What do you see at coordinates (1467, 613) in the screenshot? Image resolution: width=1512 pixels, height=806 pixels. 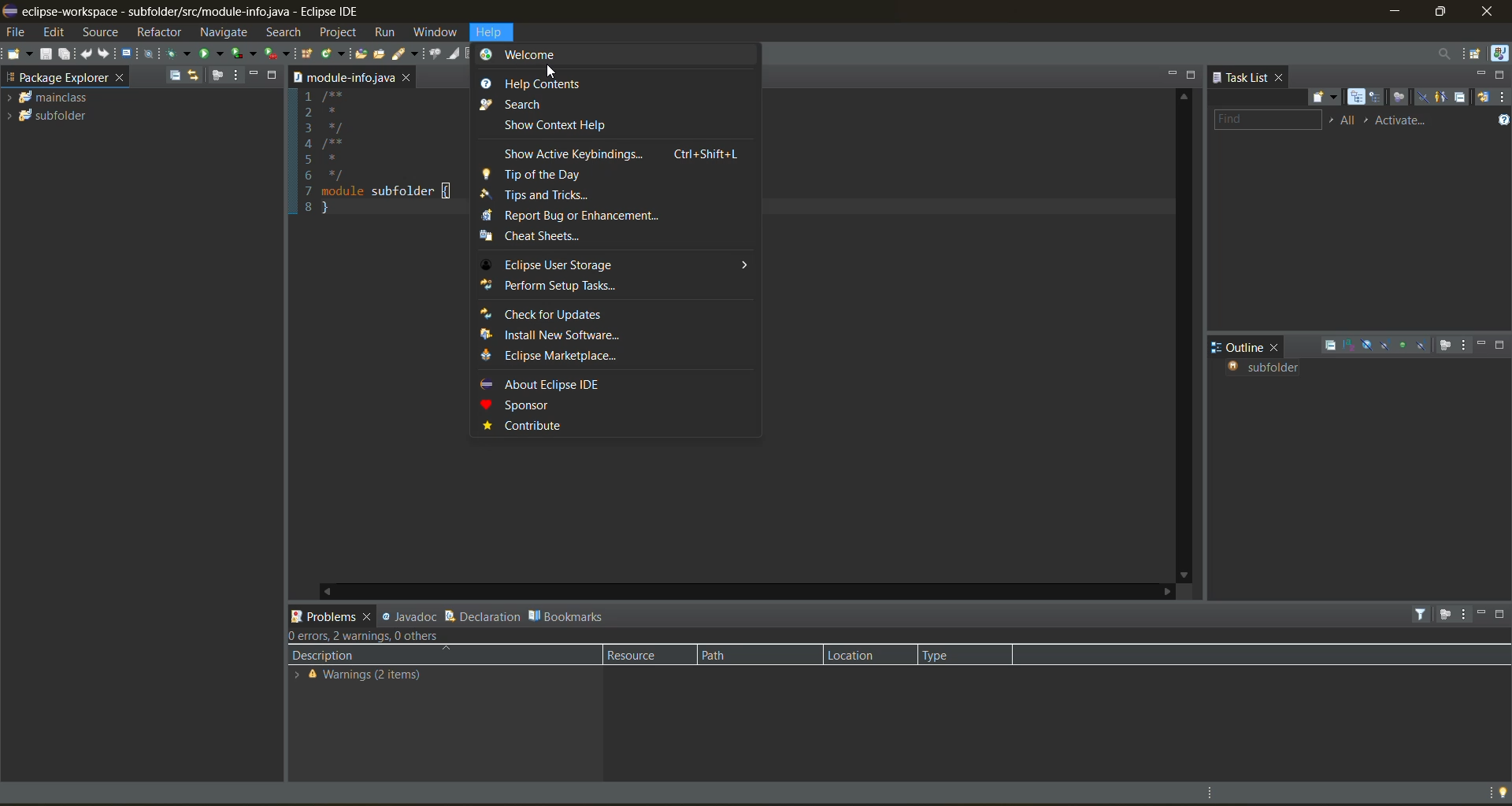 I see `view menu` at bounding box center [1467, 613].